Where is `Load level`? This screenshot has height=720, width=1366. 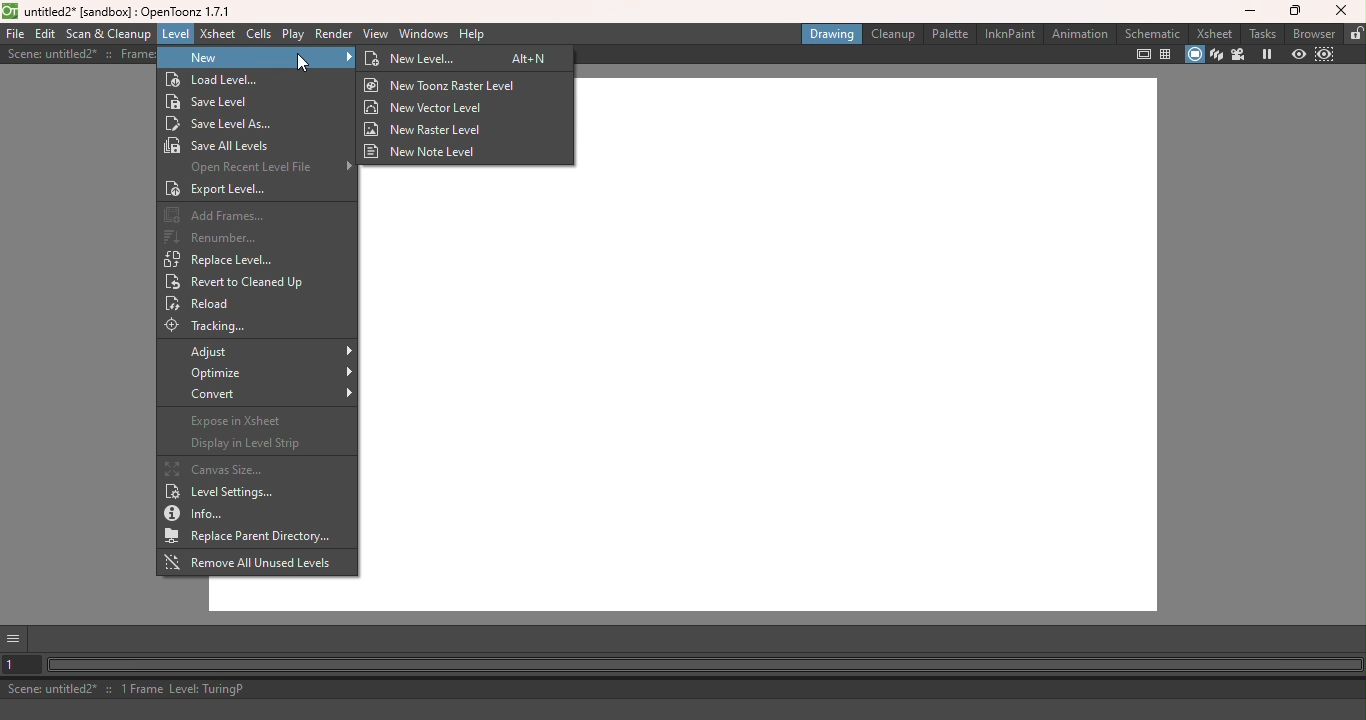 Load level is located at coordinates (254, 80).